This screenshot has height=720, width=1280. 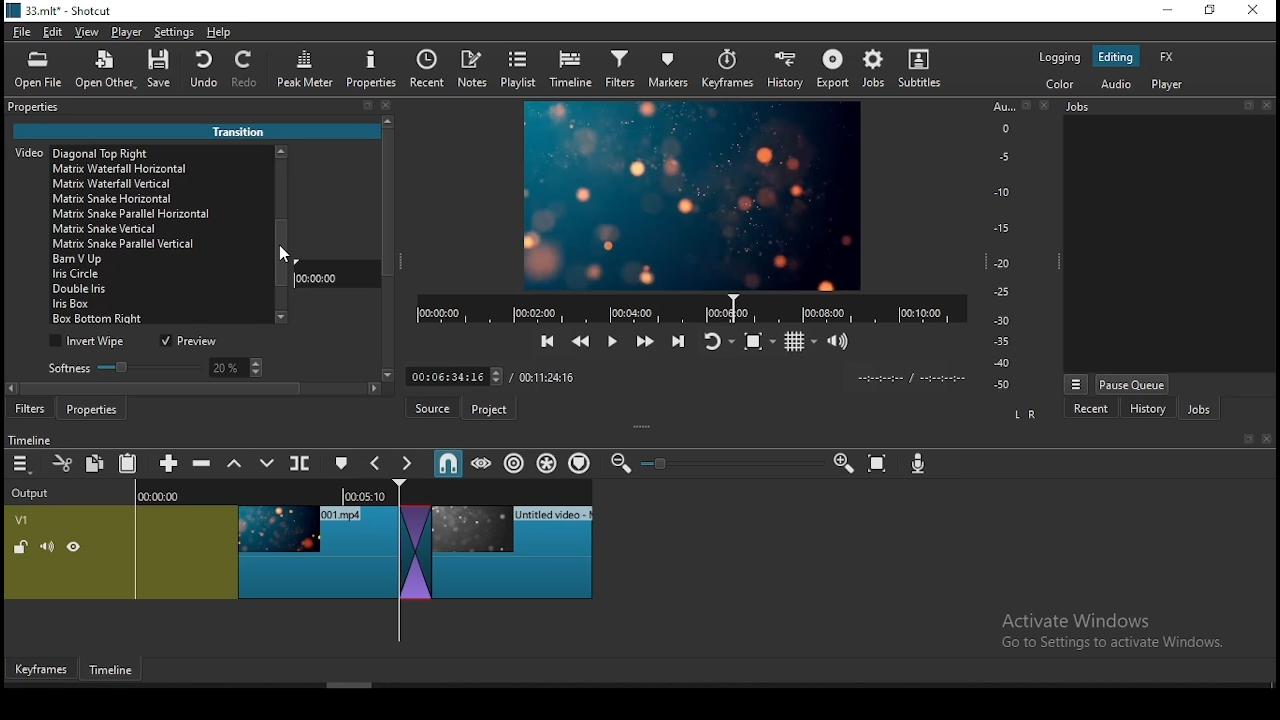 What do you see at coordinates (388, 255) in the screenshot?
I see `scroll bar` at bounding box center [388, 255].